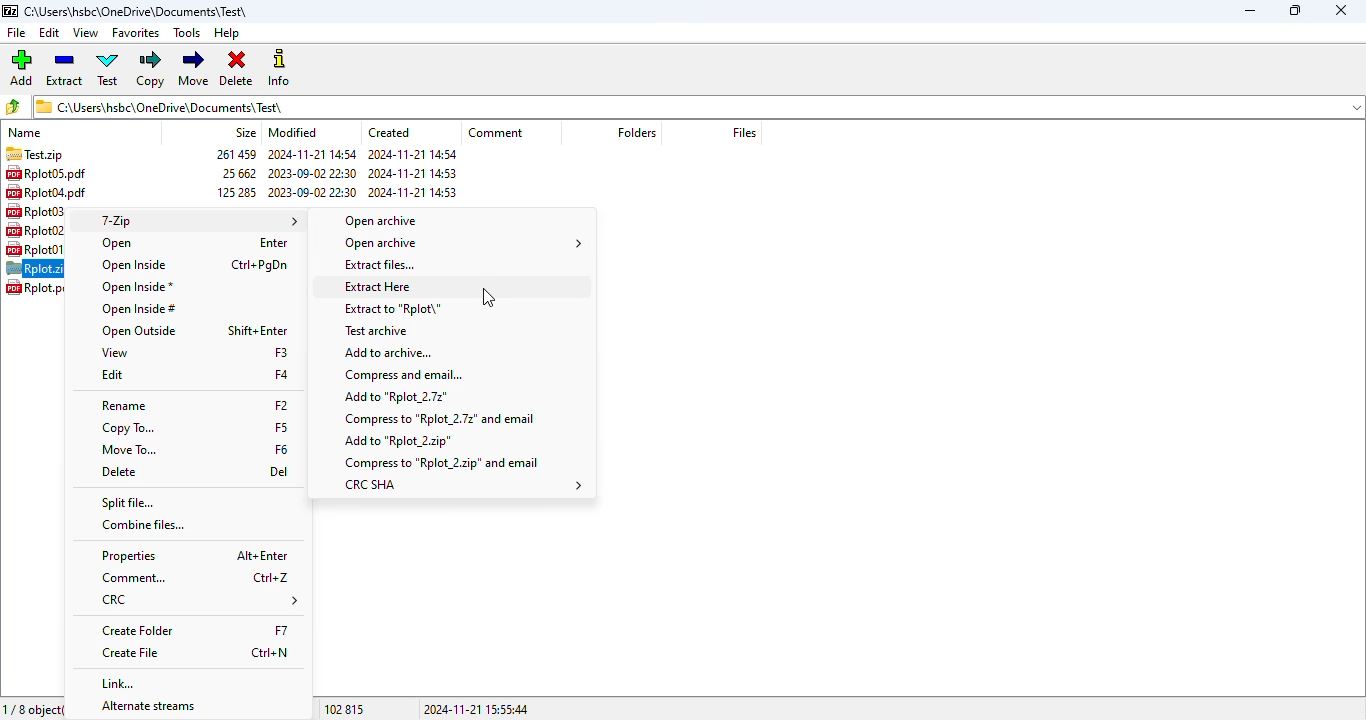 The width and height of the screenshot is (1366, 720). What do you see at coordinates (145, 525) in the screenshot?
I see `combine files` at bounding box center [145, 525].